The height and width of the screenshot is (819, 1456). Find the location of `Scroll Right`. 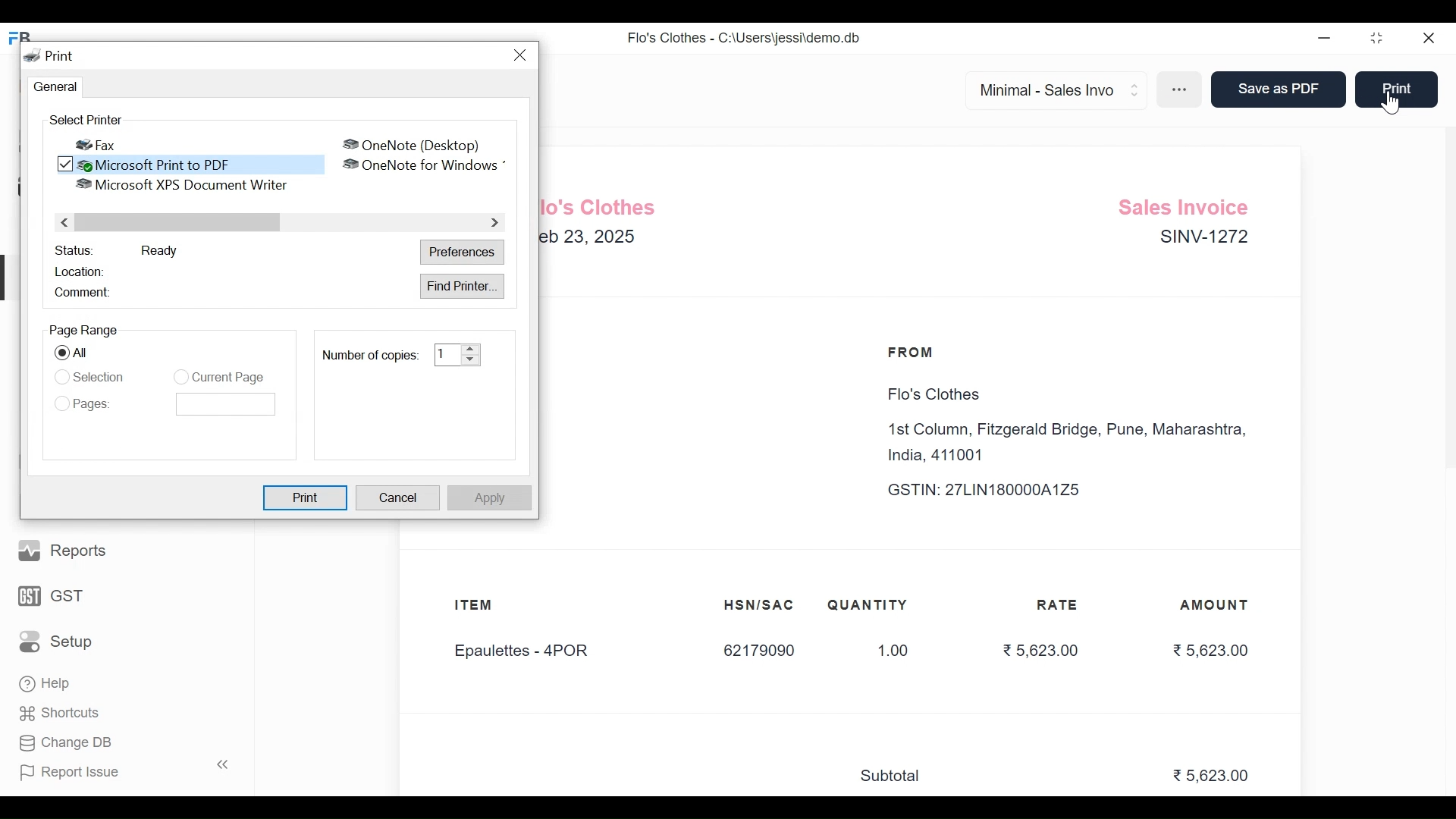

Scroll Right is located at coordinates (492, 223).